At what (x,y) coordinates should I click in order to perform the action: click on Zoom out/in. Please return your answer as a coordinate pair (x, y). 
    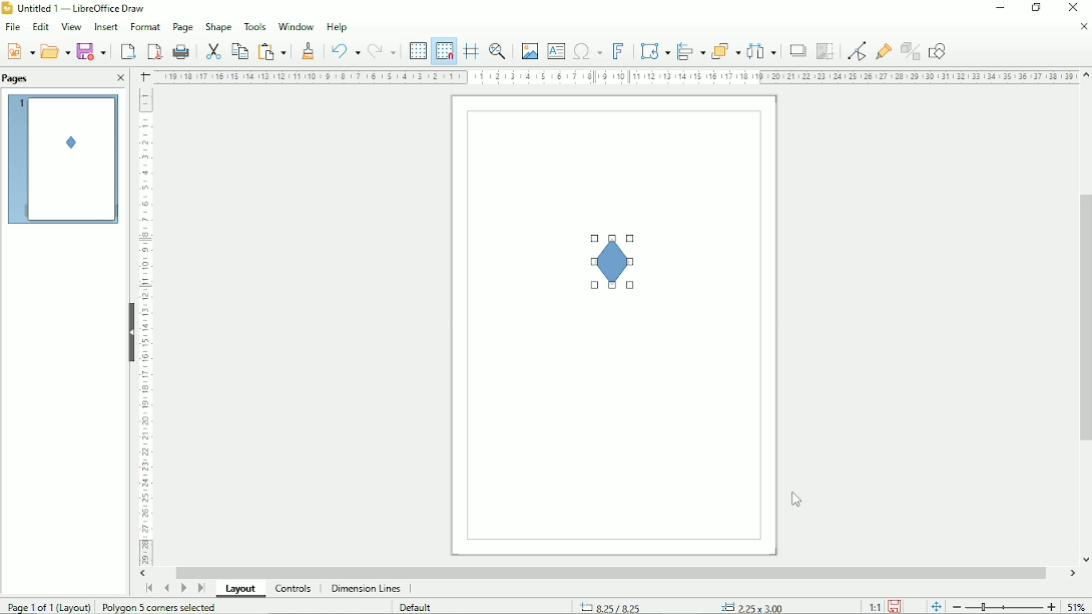
    Looking at the image, I should click on (1003, 605).